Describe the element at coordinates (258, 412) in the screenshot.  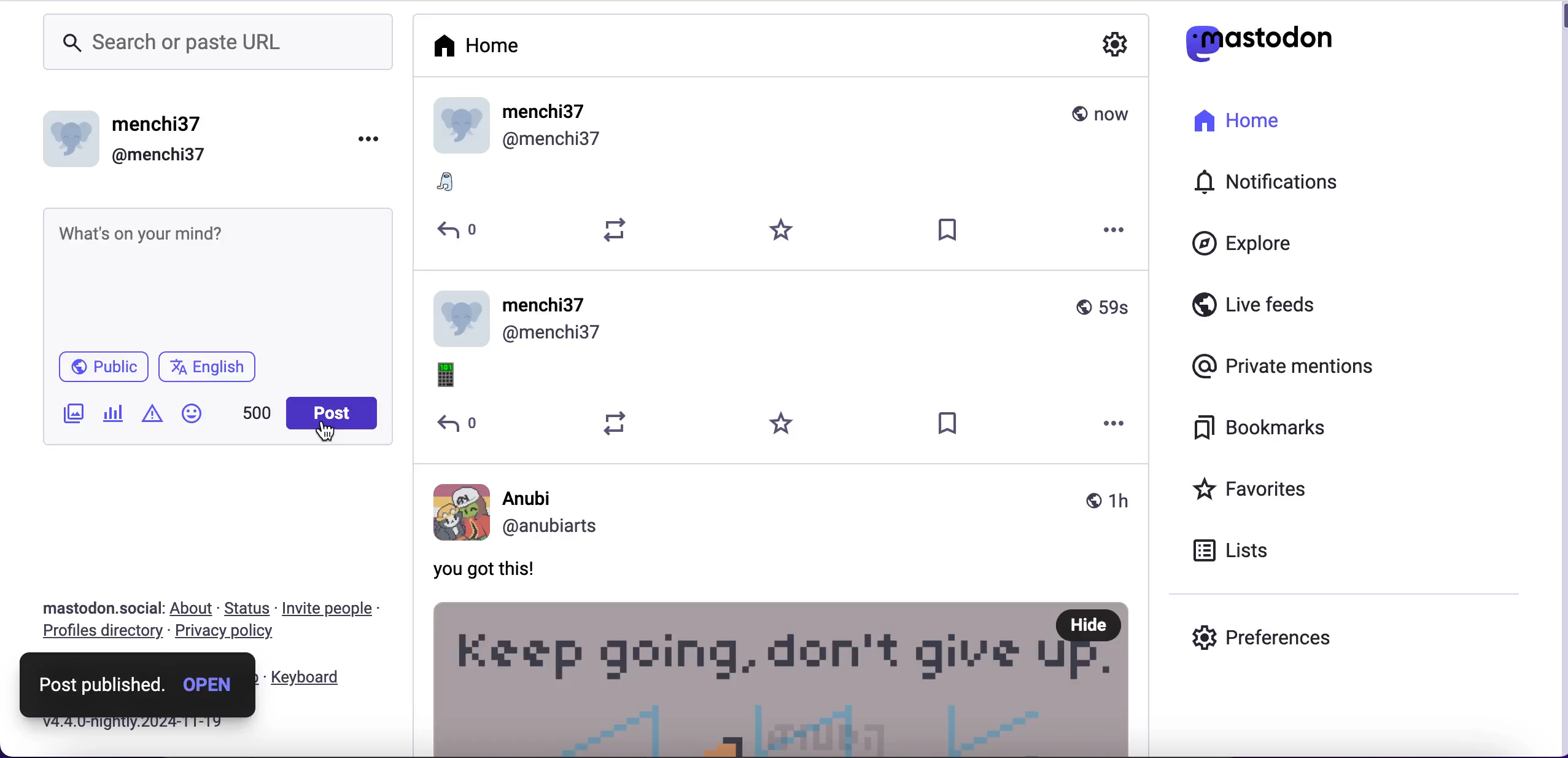
I see `491 characters left` at that location.